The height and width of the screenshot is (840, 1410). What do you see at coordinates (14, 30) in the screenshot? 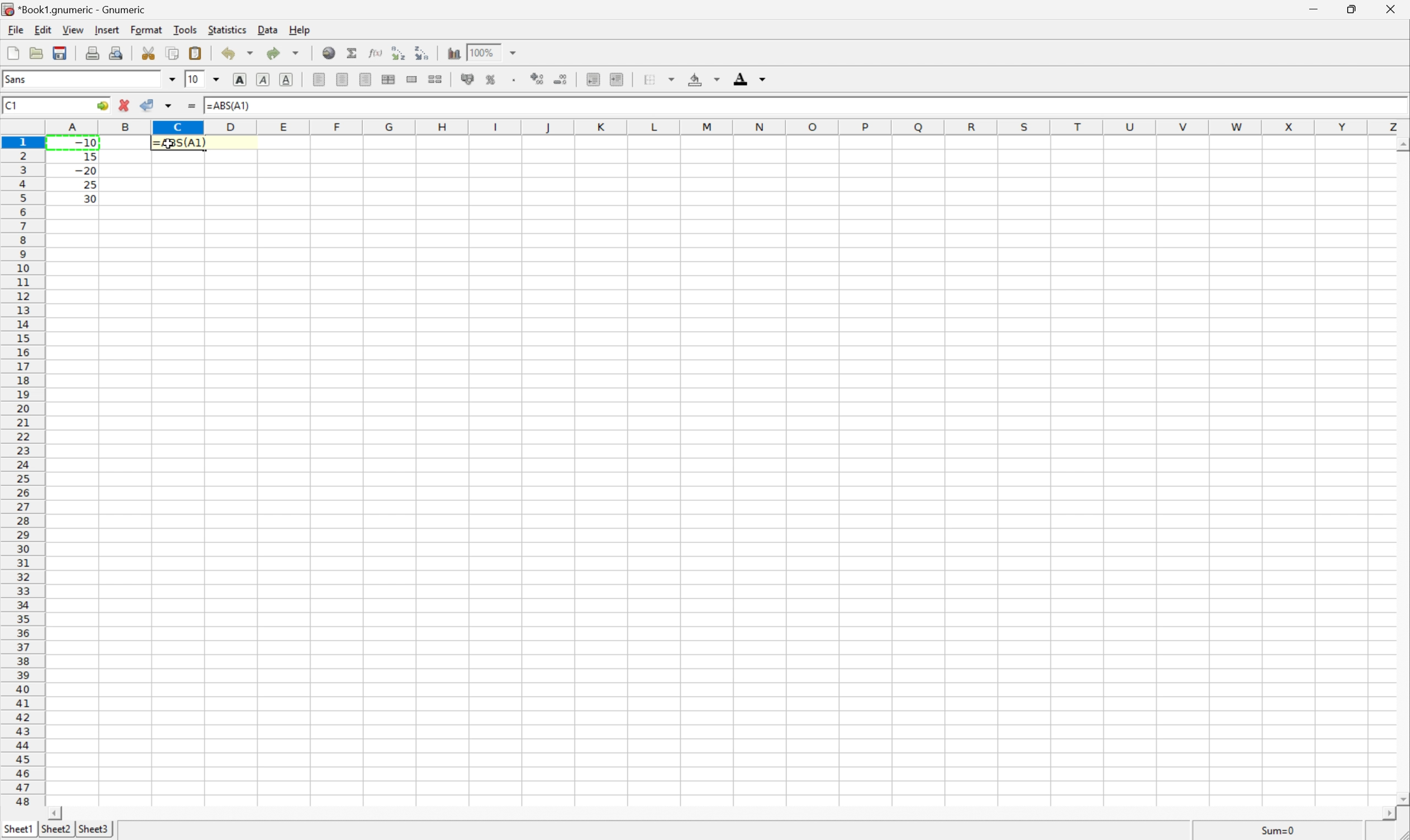
I see `File` at bounding box center [14, 30].